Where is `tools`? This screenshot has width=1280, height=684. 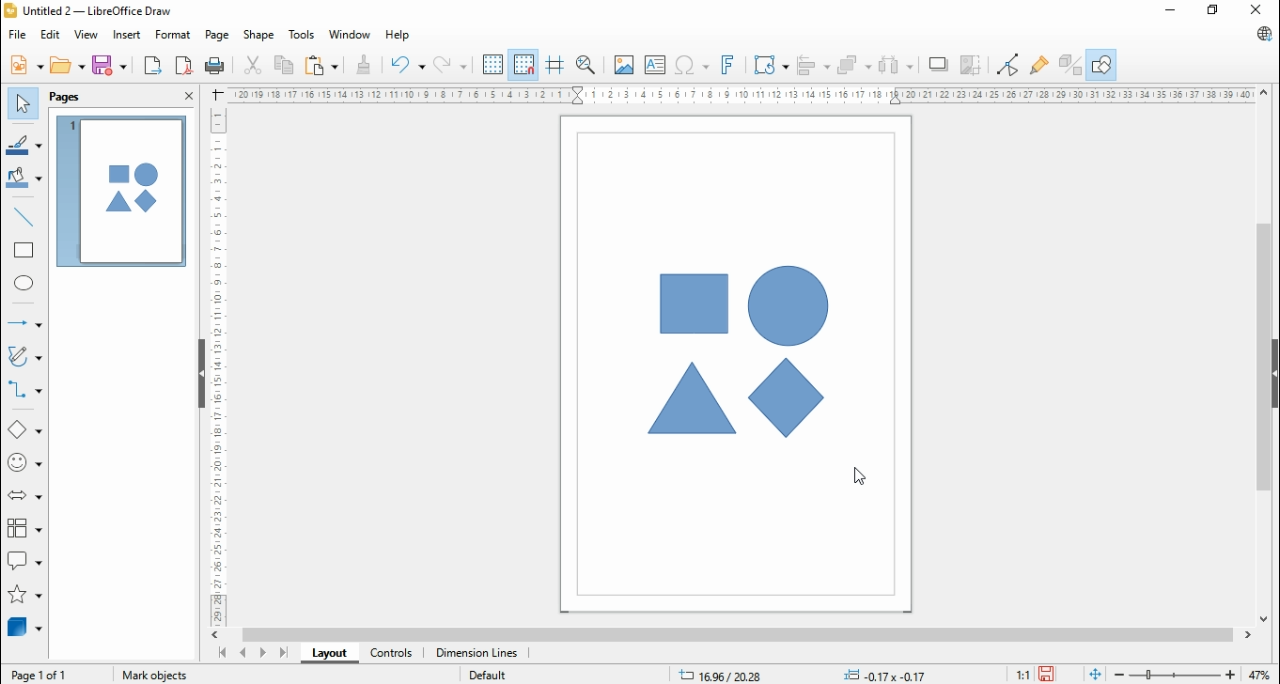
tools is located at coordinates (303, 34).